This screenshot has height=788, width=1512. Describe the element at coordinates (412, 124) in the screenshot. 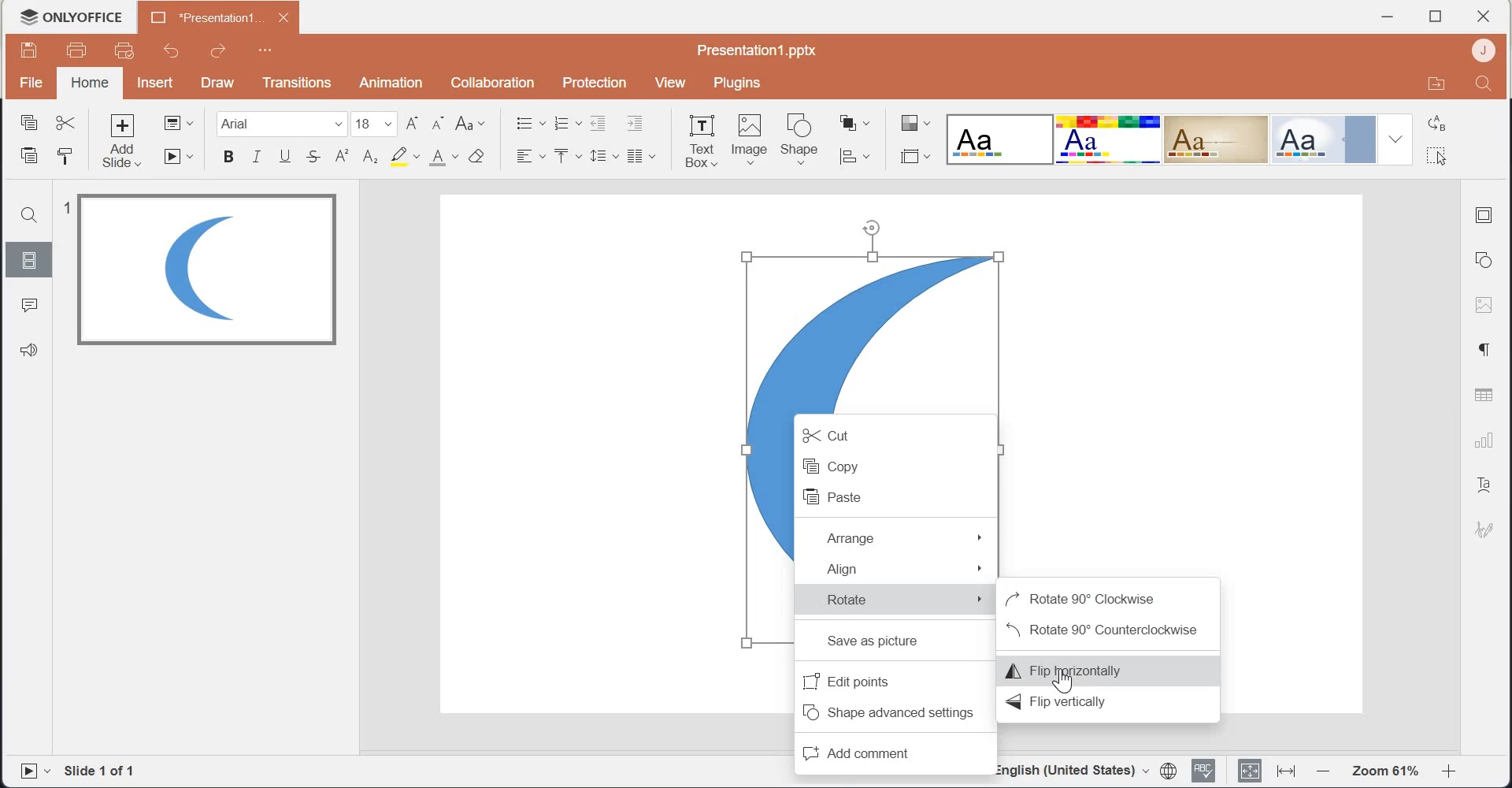

I see `Increment font size` at that location.